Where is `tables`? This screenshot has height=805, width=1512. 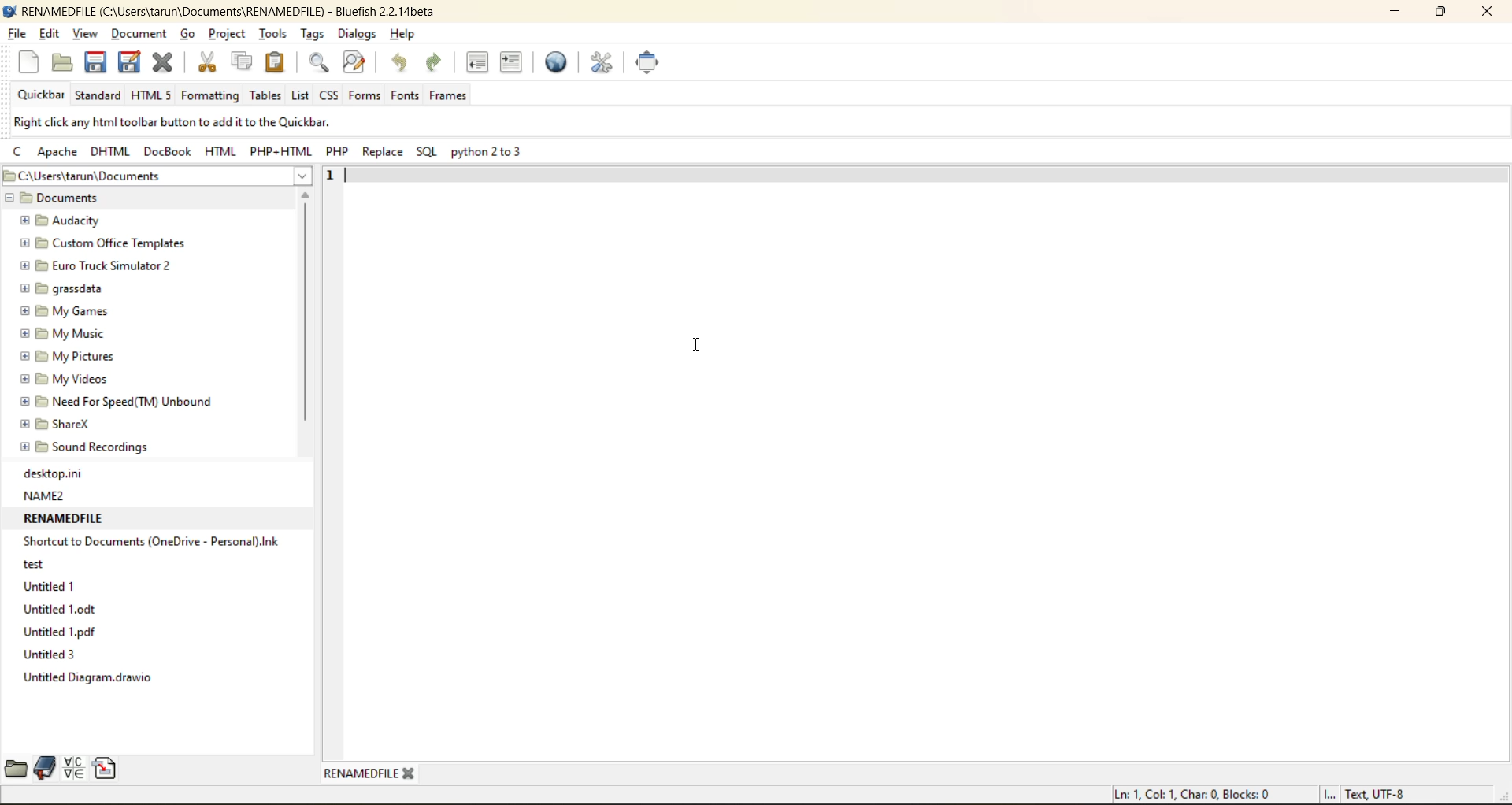 tables is located at coordinates (267, 98).